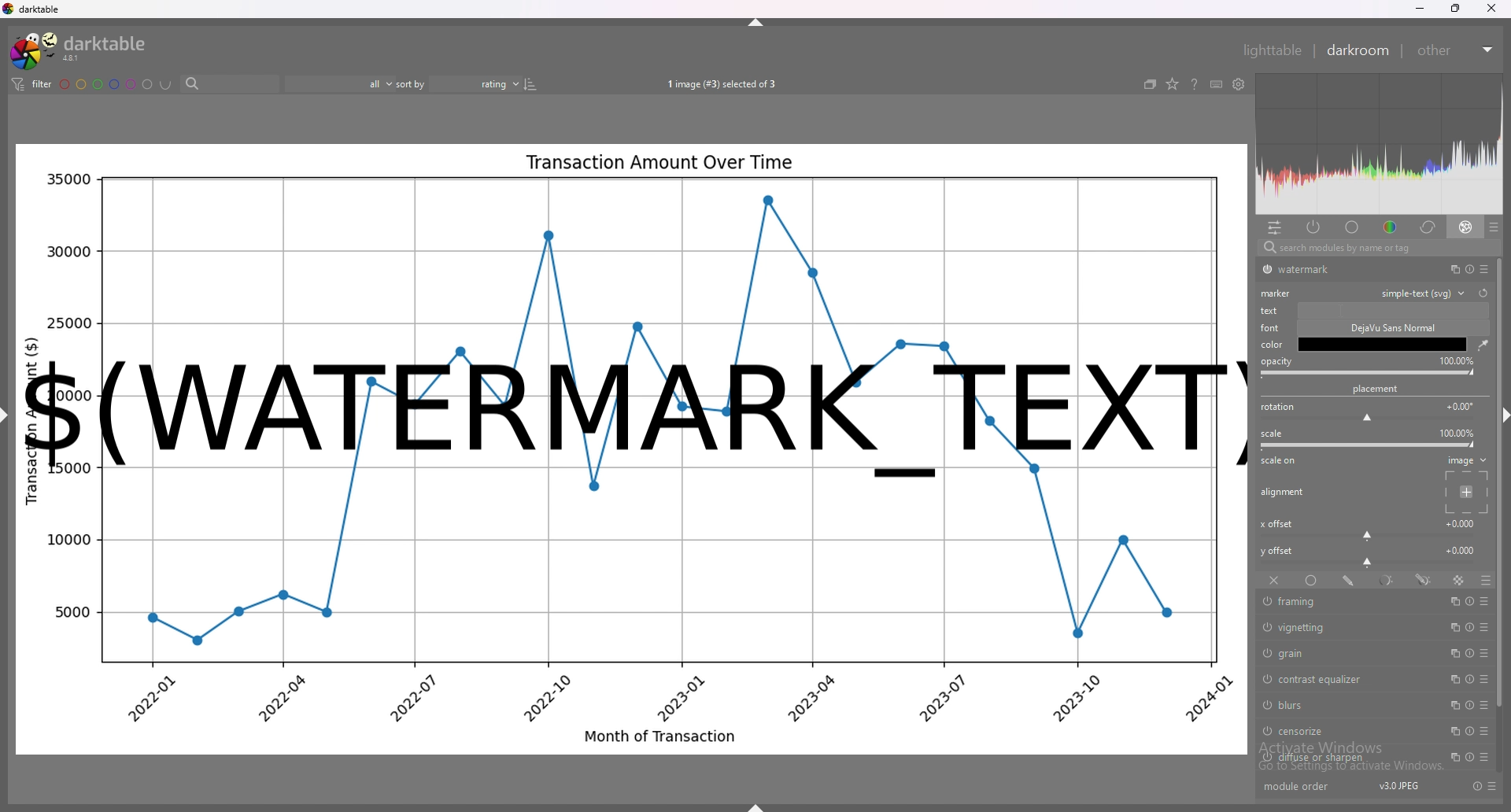  Describe the element at coordinates (1425, 580) in the screenshot. I see `drawn and parametric mask` at that location.